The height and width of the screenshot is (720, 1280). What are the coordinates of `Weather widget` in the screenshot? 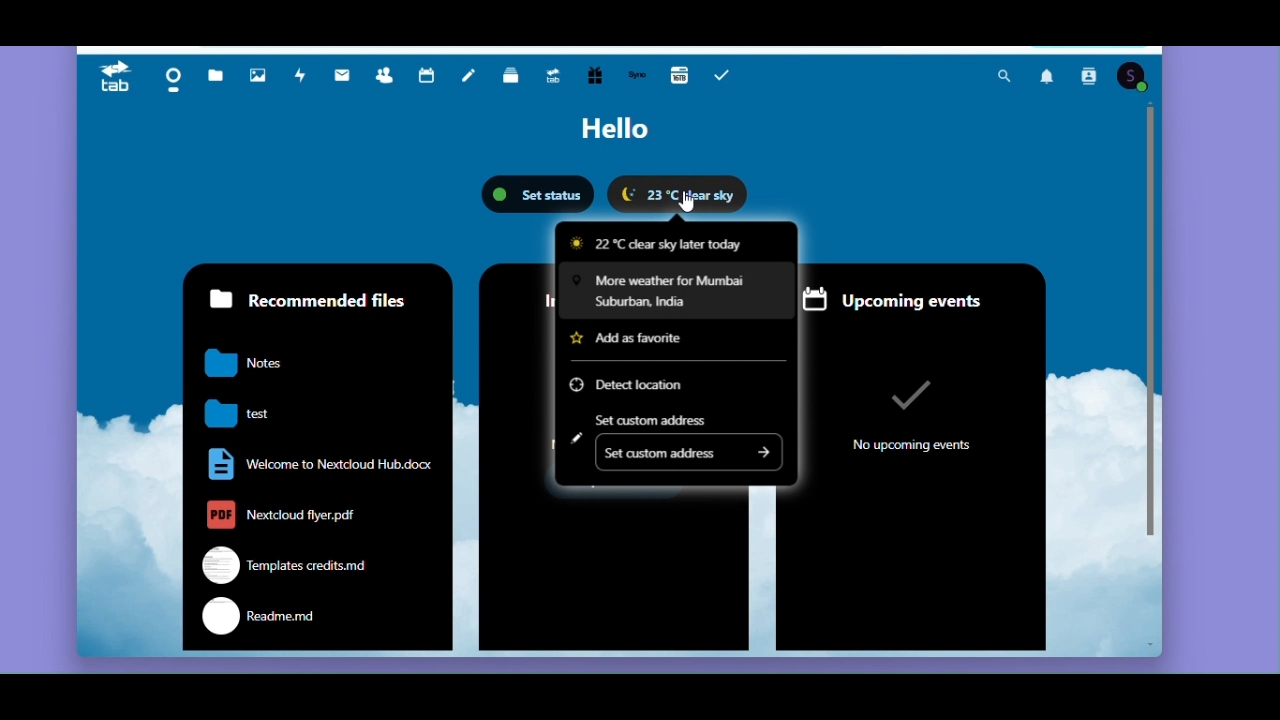 It's located at (680, 195).